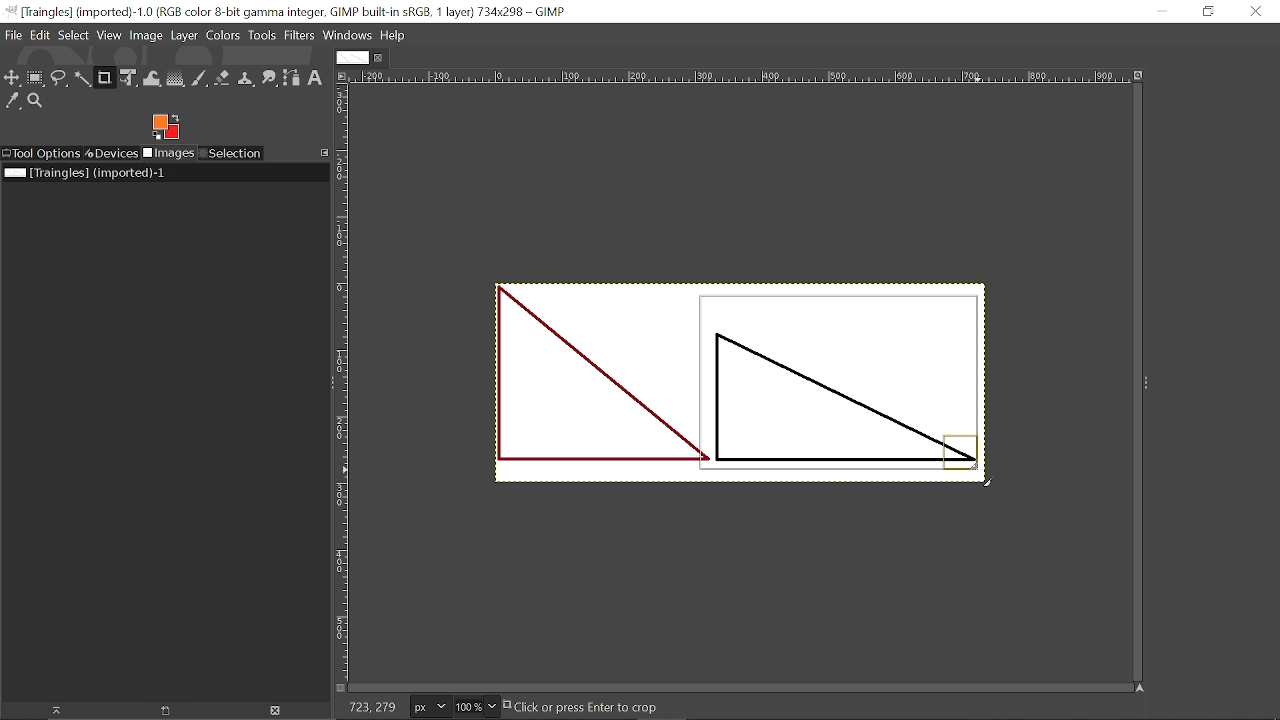  I want to click on Horizontal ruler, so click(740, 77).